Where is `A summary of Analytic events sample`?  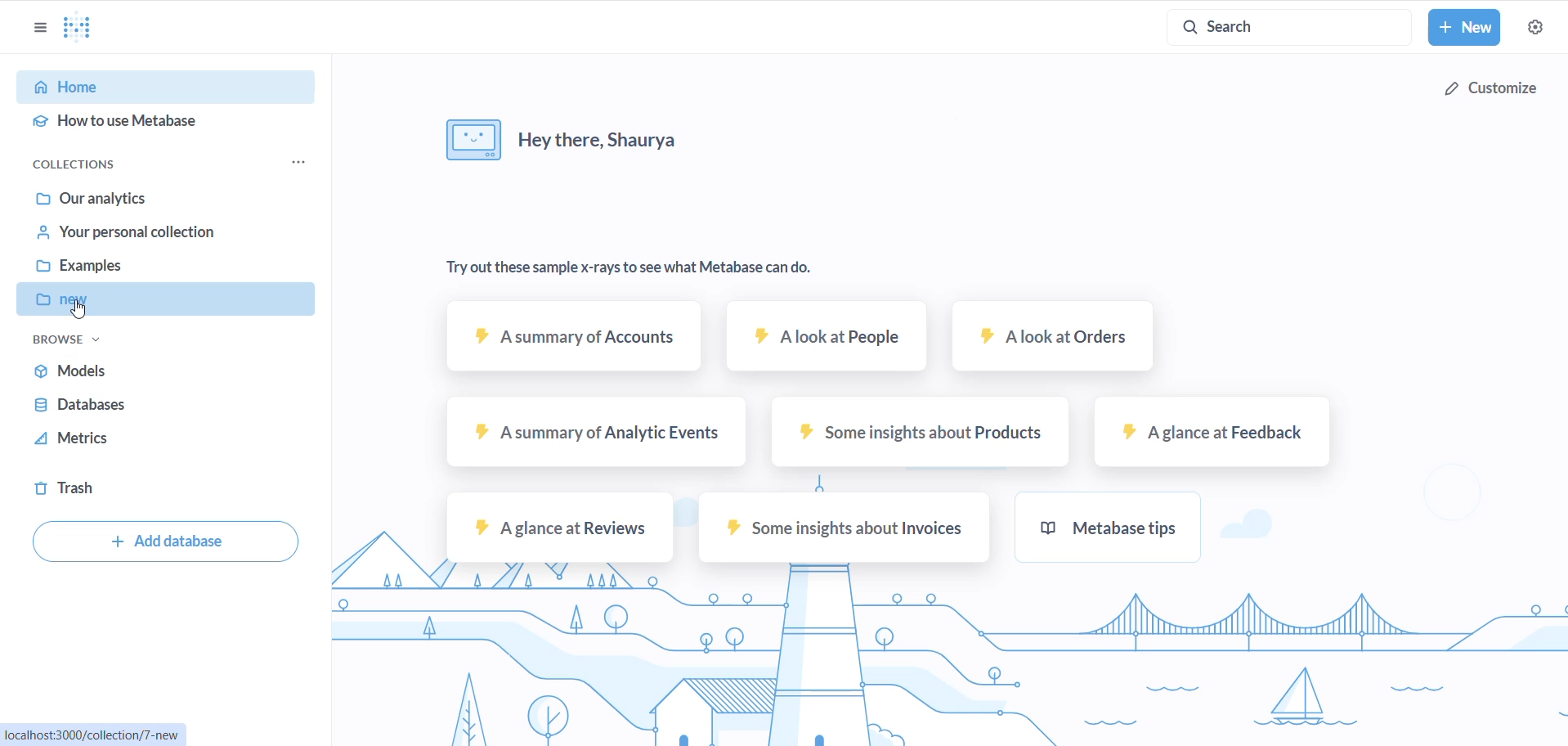
A summary of Analytic events sample is located at coordinates (590, 440).